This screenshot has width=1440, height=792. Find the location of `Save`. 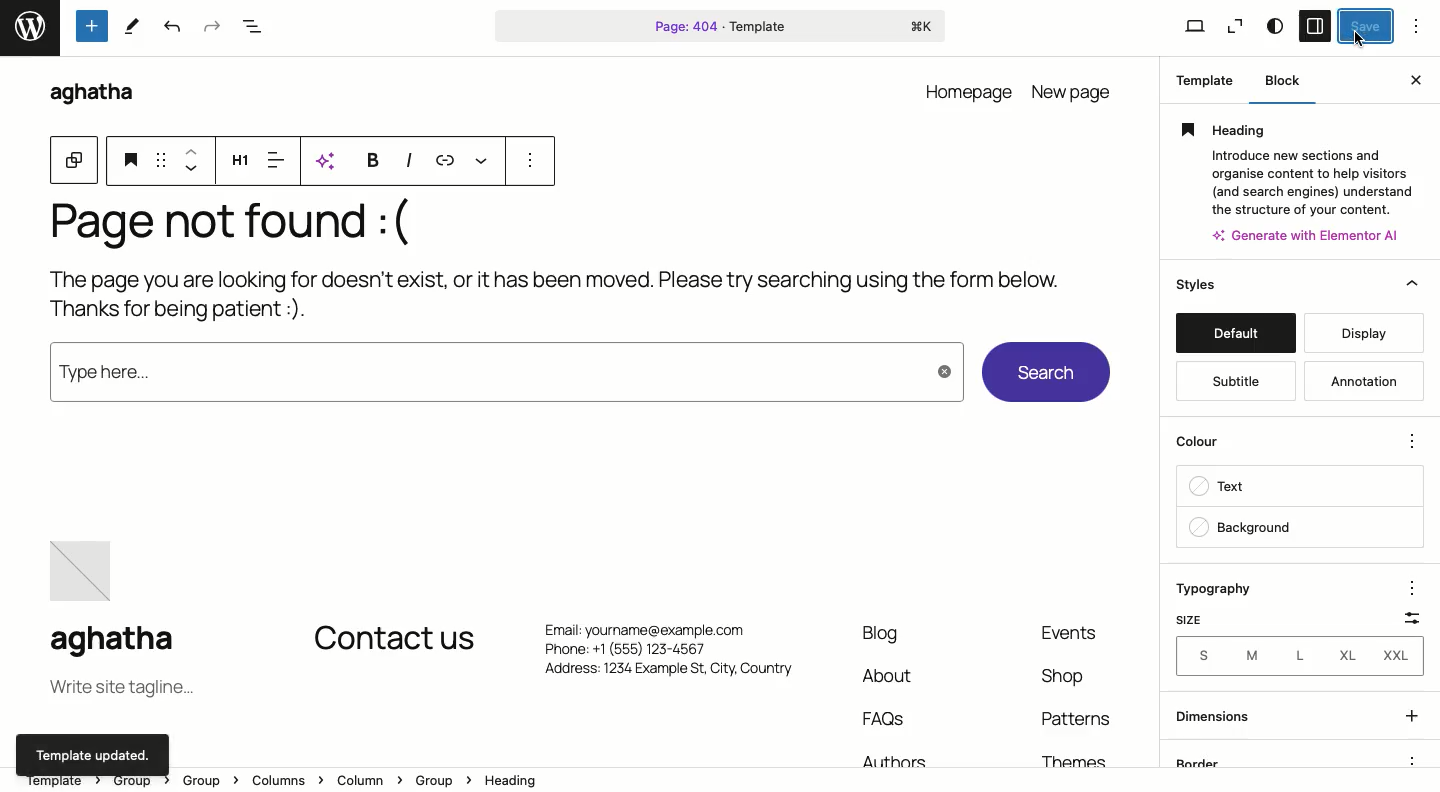

Save is located at coordinates (1366, 26).